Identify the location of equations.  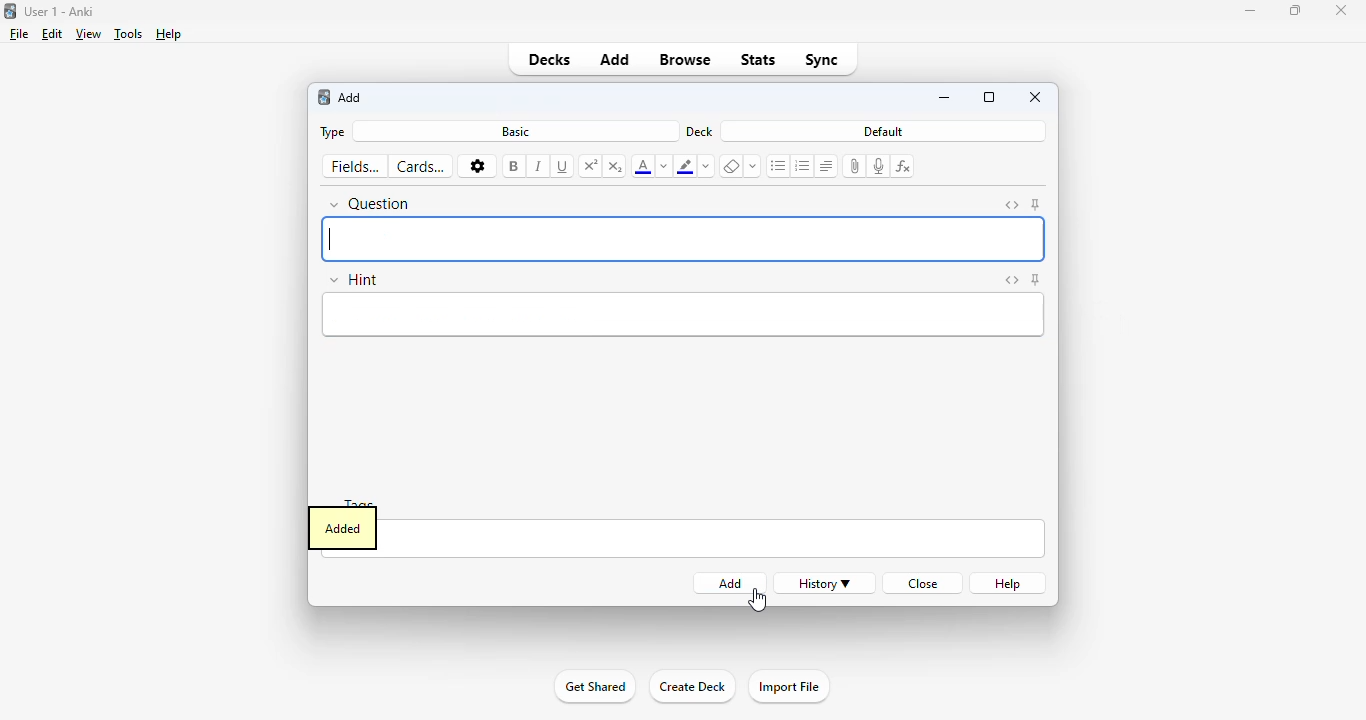
(904, 166).